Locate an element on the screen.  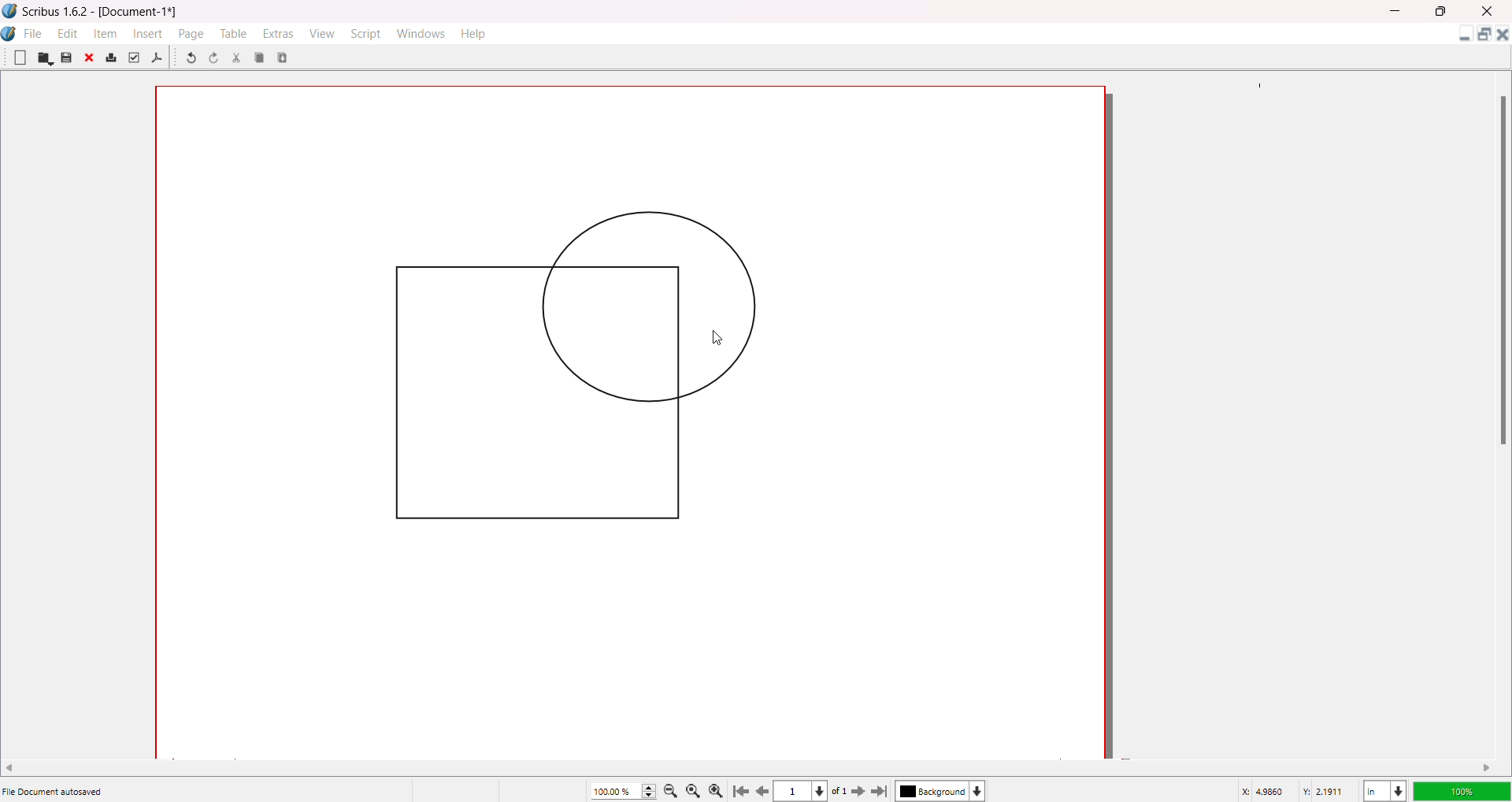
Windows is located at coordinates (424, 33).